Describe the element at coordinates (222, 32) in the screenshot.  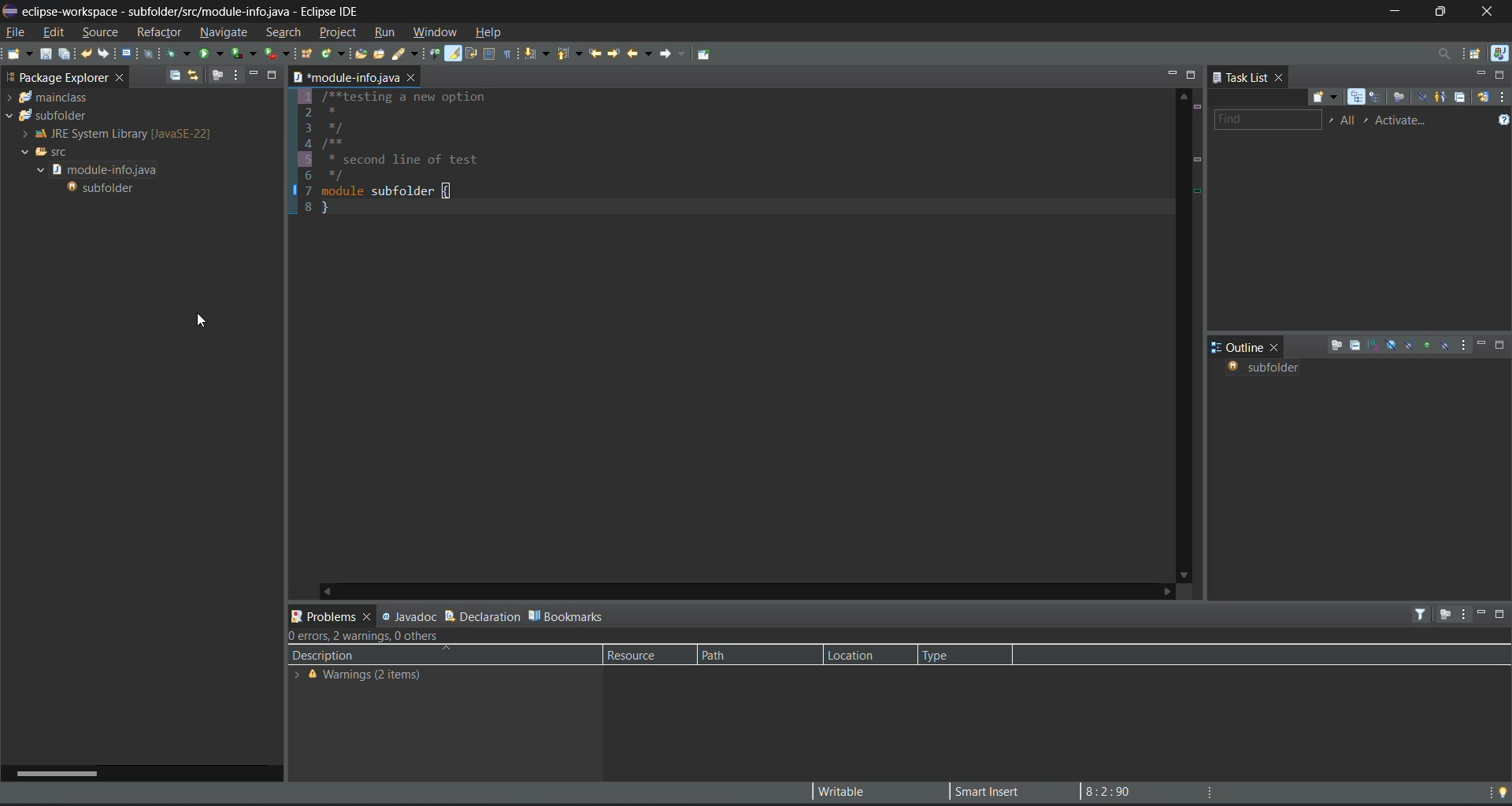
I see `navigate` at that location.